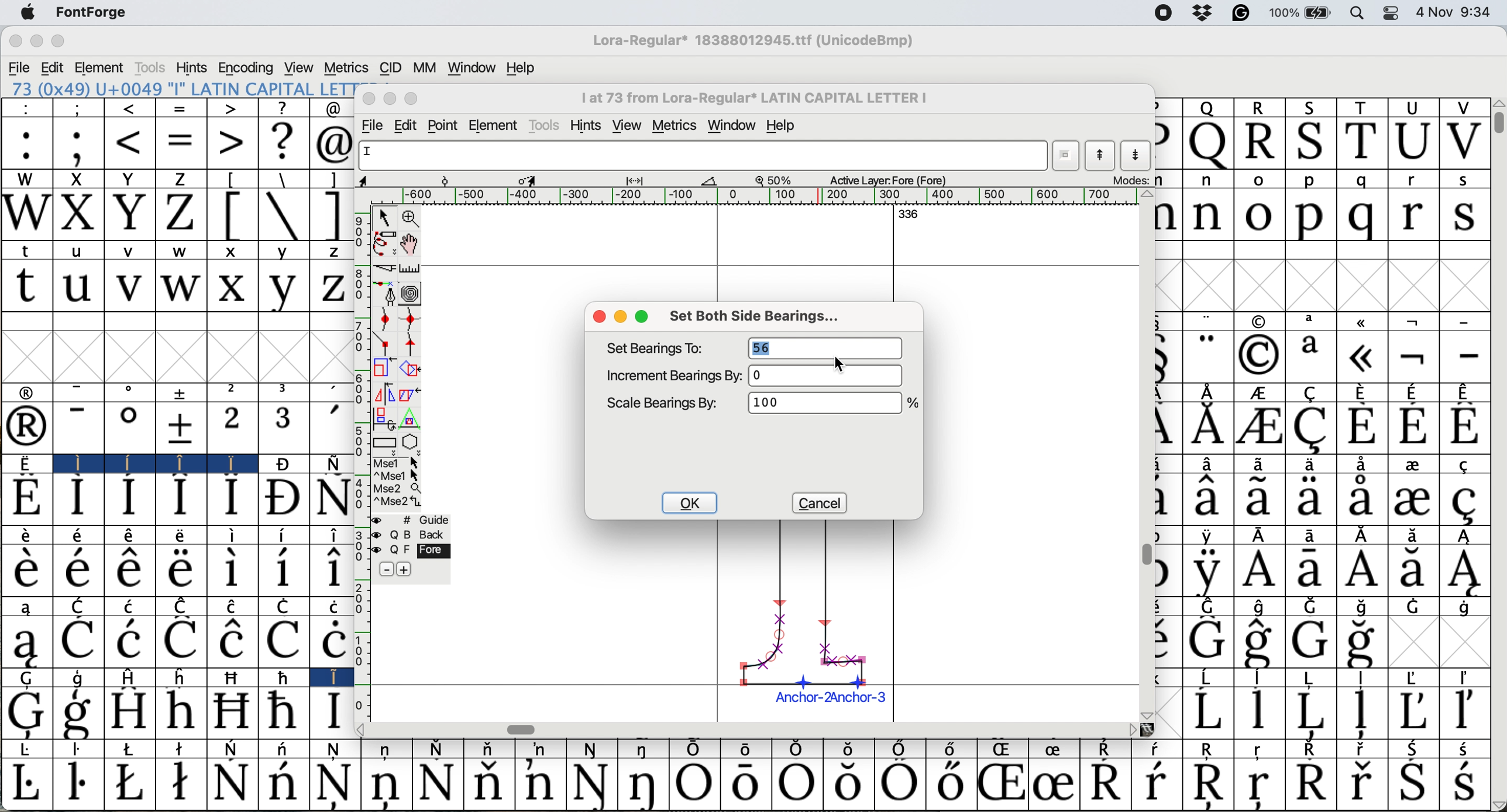  Describe the element at coordinates (232, 142) in the screenshot. I see `>` at that location.